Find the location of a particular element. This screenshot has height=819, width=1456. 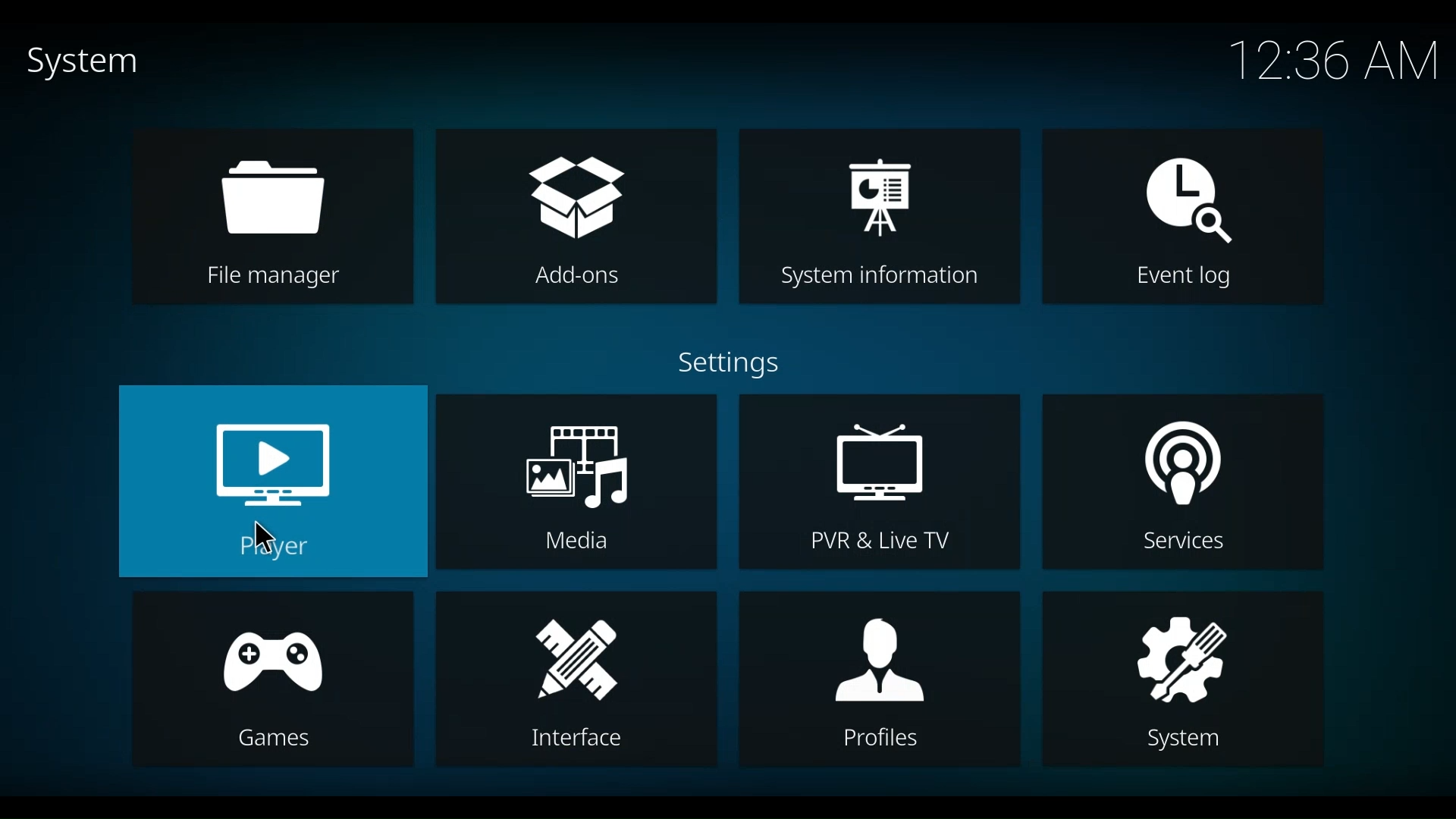

File manager is located at coordinates (271, 215).